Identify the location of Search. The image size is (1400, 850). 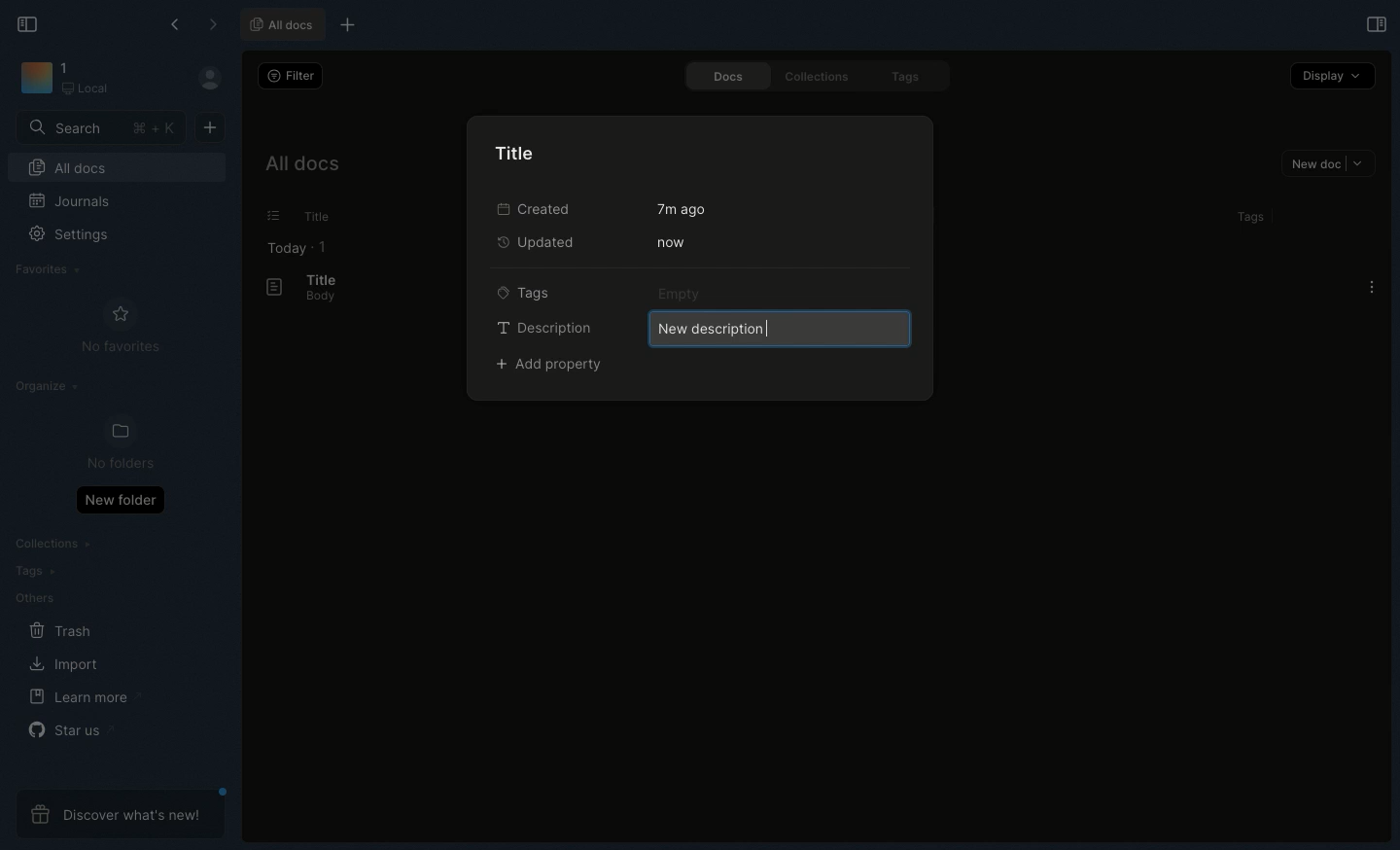
(102, 126).